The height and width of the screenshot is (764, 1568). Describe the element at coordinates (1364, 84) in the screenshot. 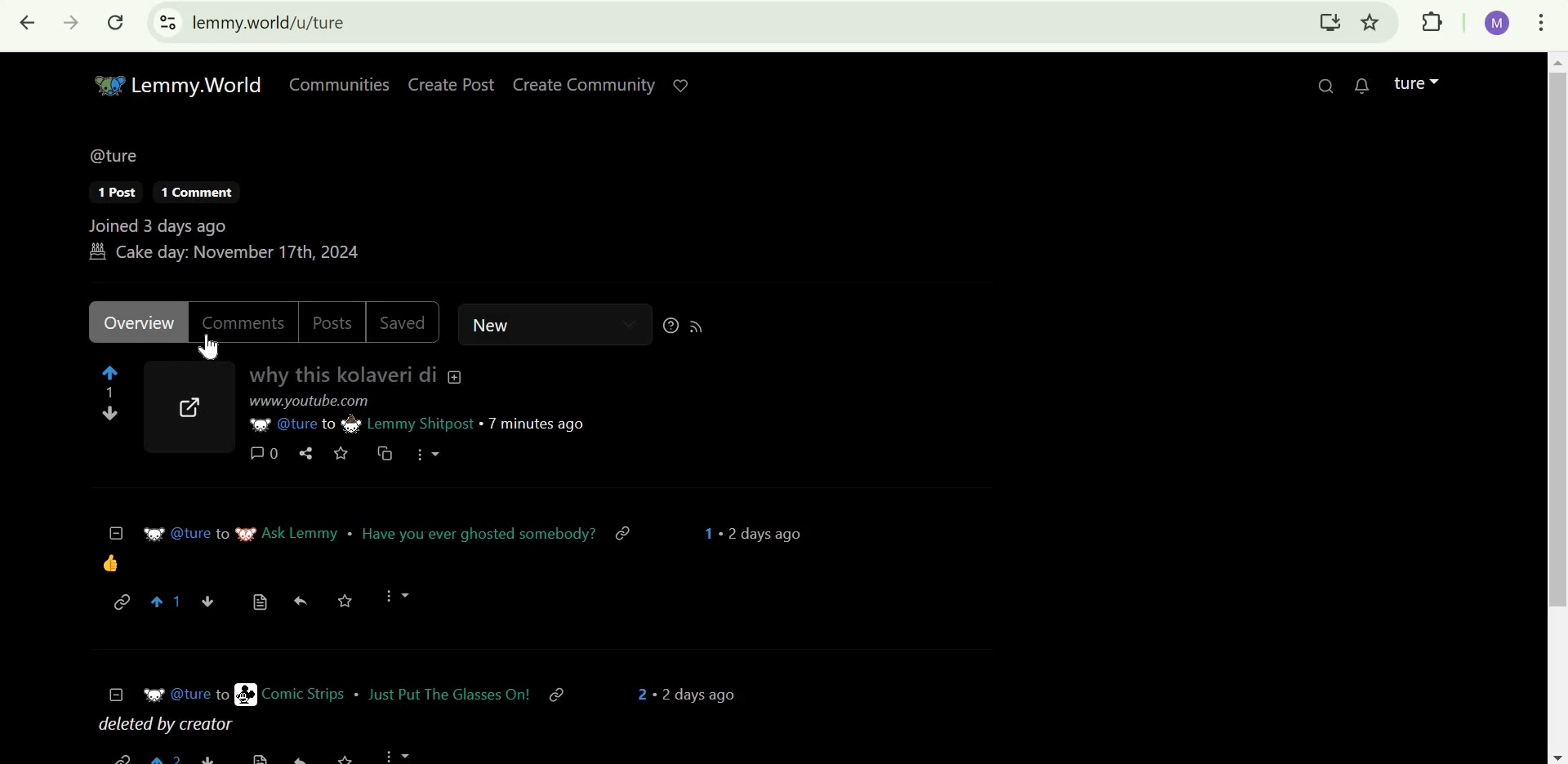

I see `0 unread messages` at that location.